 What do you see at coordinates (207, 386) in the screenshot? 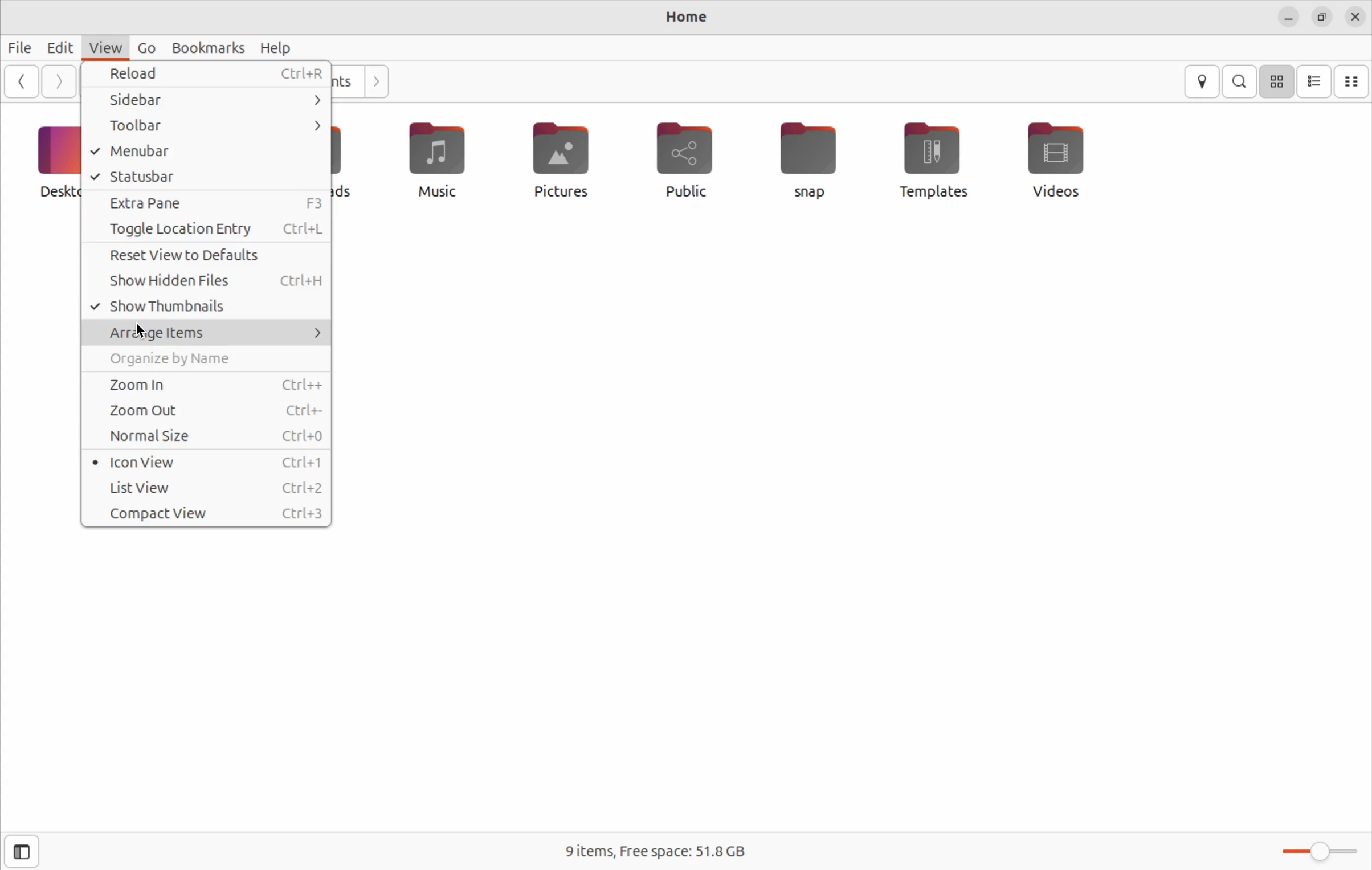
I see `zoom in ` at bounding box center [207, 386].